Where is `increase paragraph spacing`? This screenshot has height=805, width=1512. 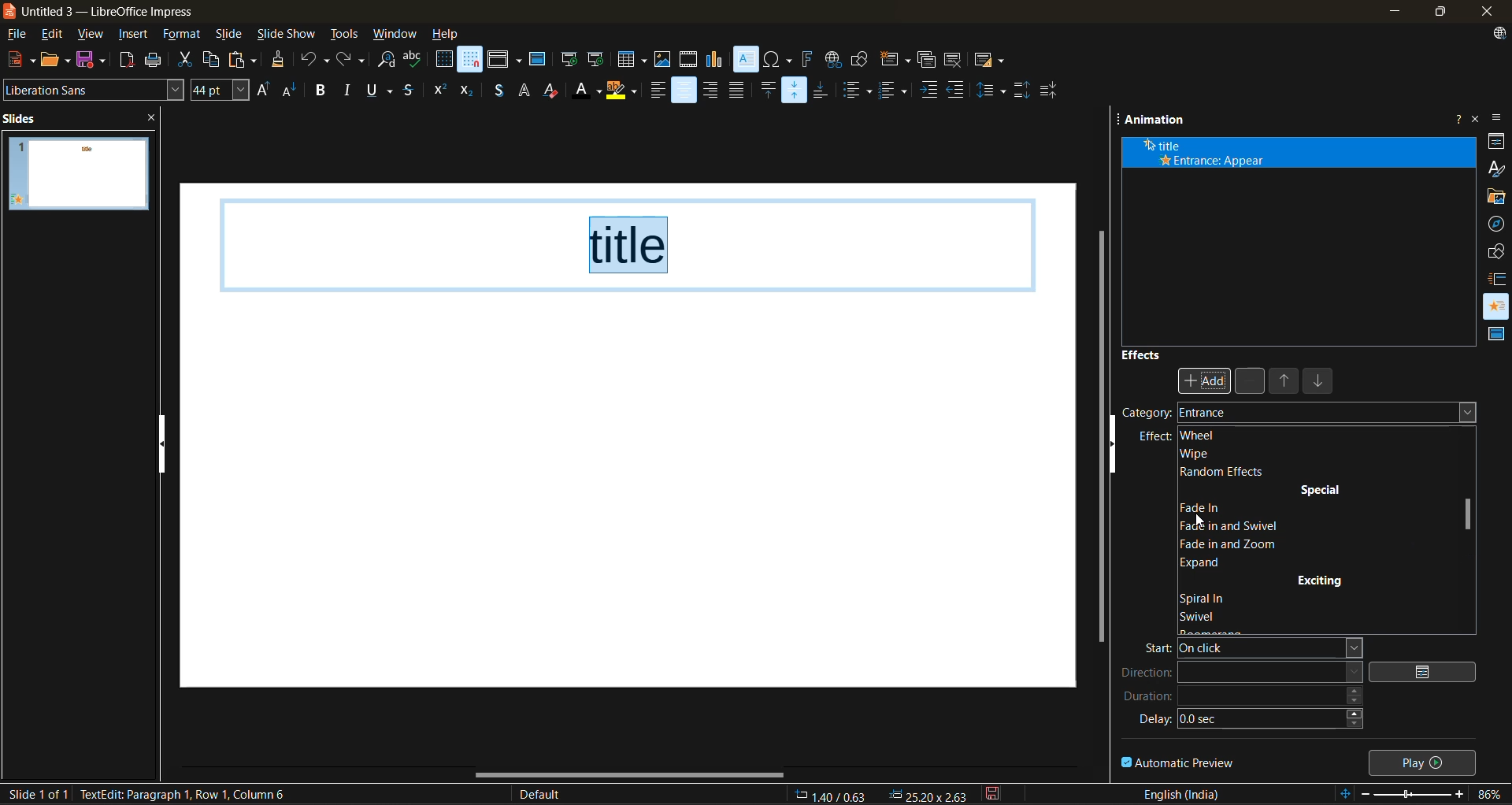
increase paragraph spacing is located at coordinates (1021, 91).